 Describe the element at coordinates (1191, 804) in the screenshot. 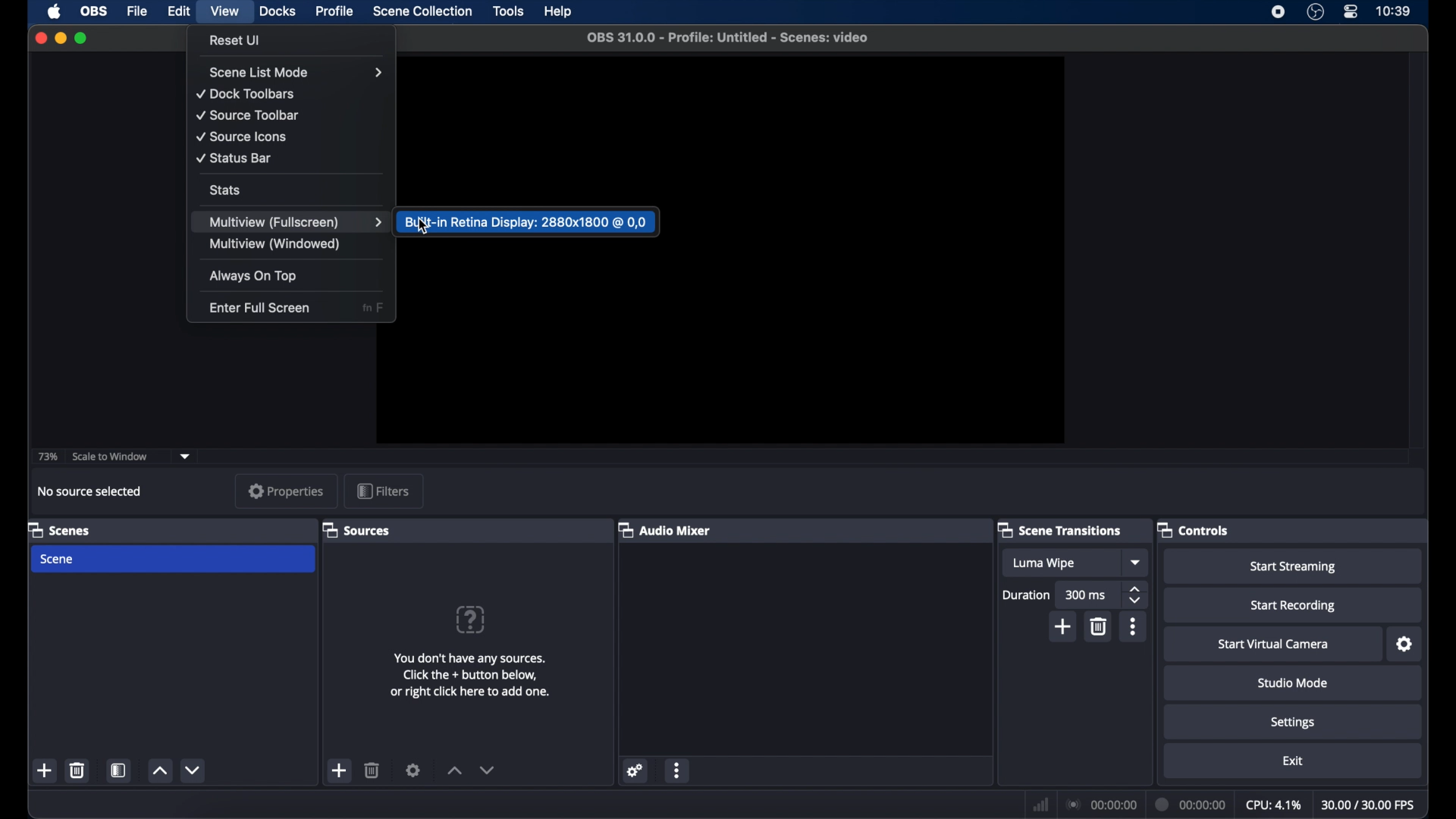

I see `00:00:00` at that location.